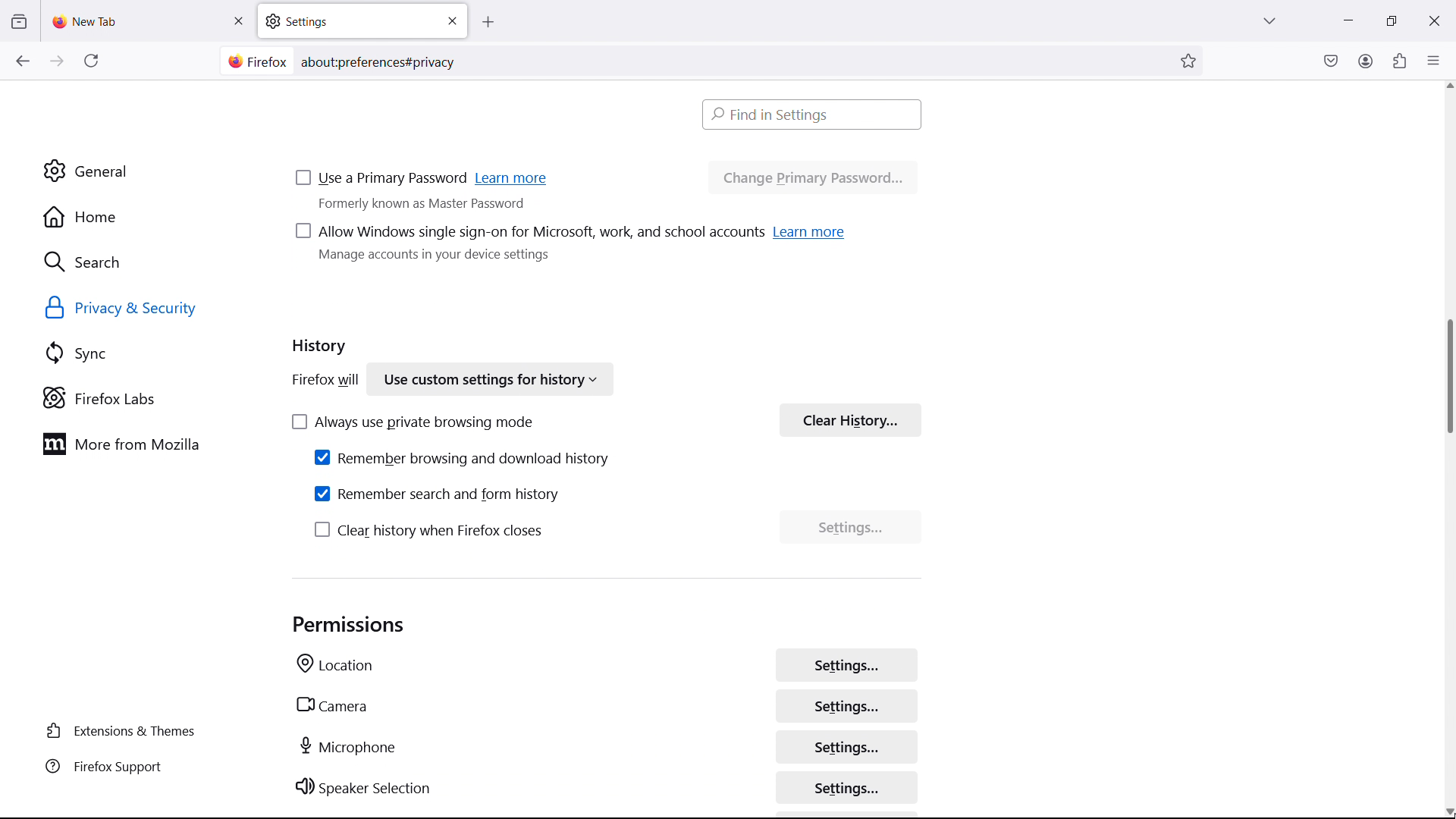  Describe the element at coordinates (527, 231) in the screenshot. I see `allow windows single sign-in fpr microsoft, work, and school accounts checkbox` at that location.